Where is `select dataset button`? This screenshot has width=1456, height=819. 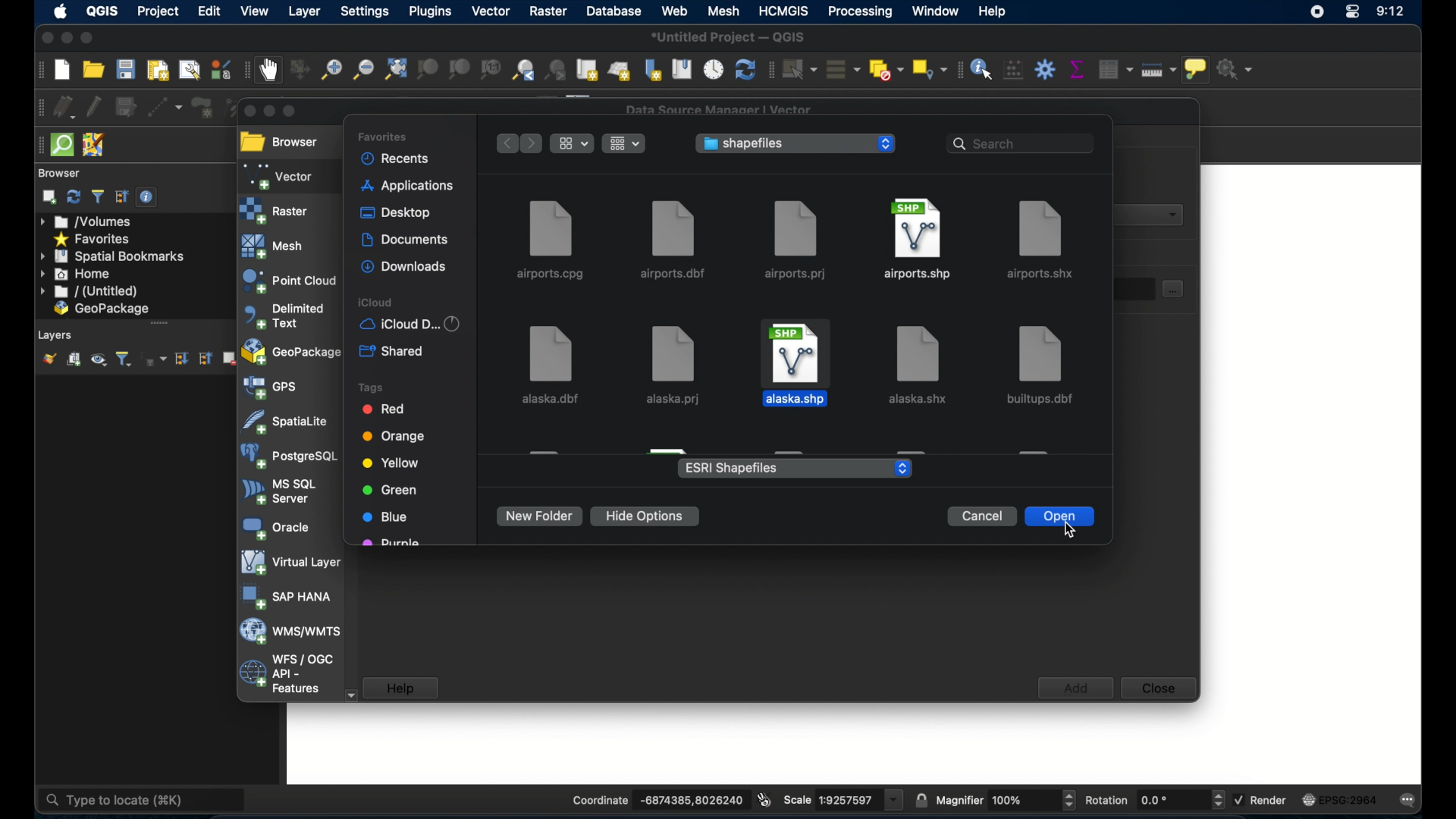 select dataset button is located at coordinates (1175, 289).